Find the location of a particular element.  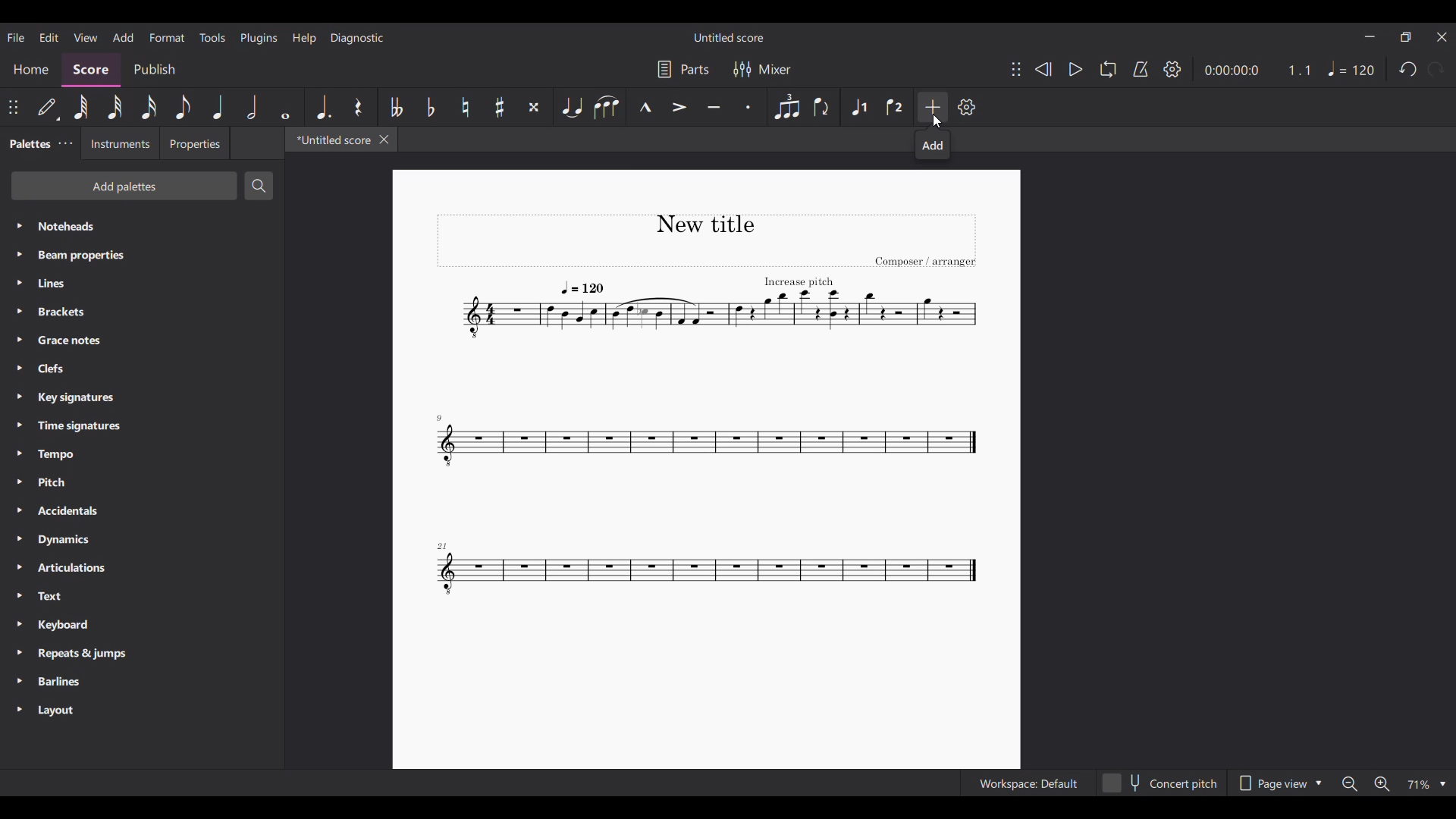

Keyboard is located at coordinates (142, 625).